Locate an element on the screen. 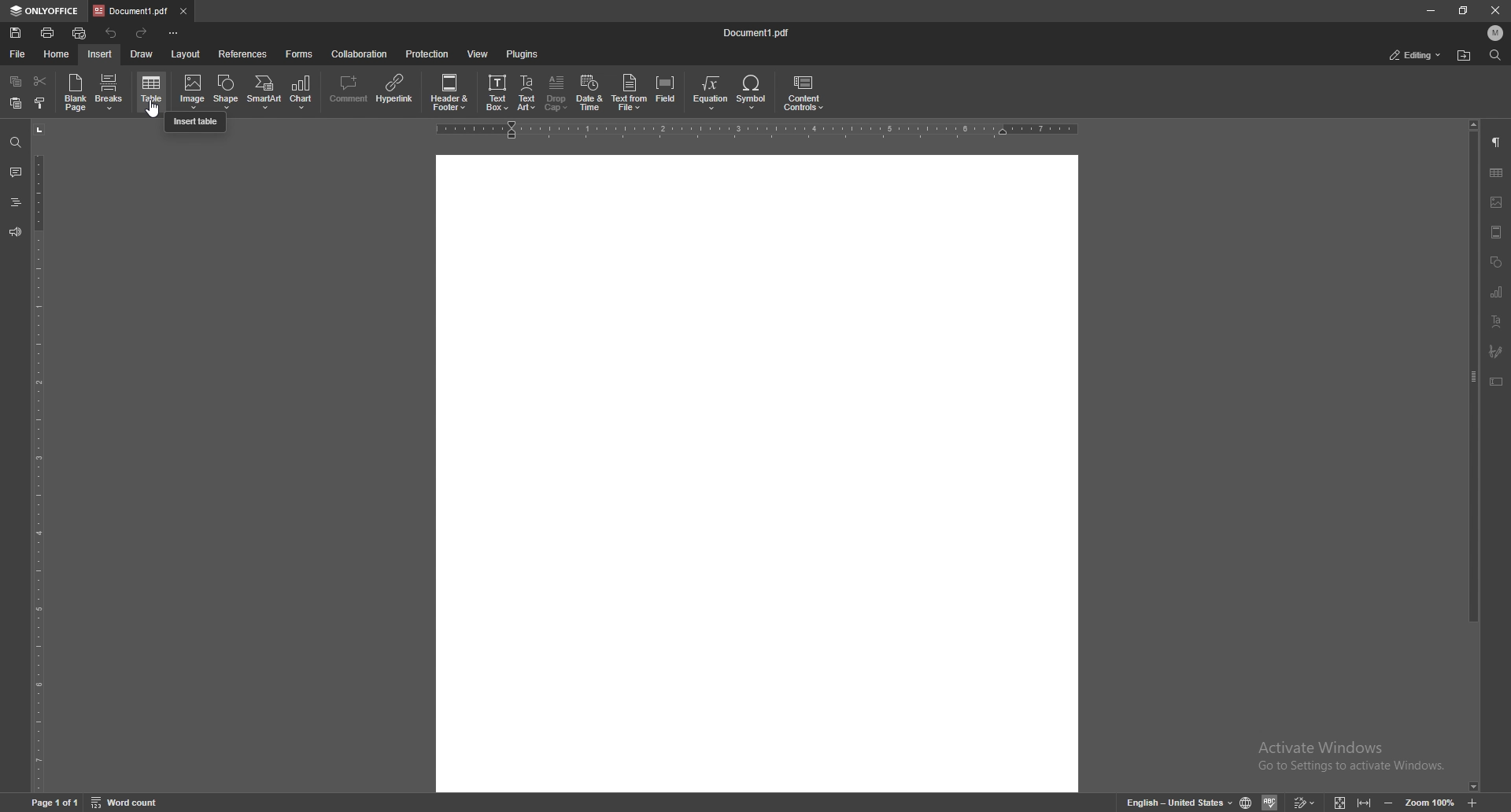 This screenshot has width=1511, height=812. scroll bar is located at coordinates (1474, 456).